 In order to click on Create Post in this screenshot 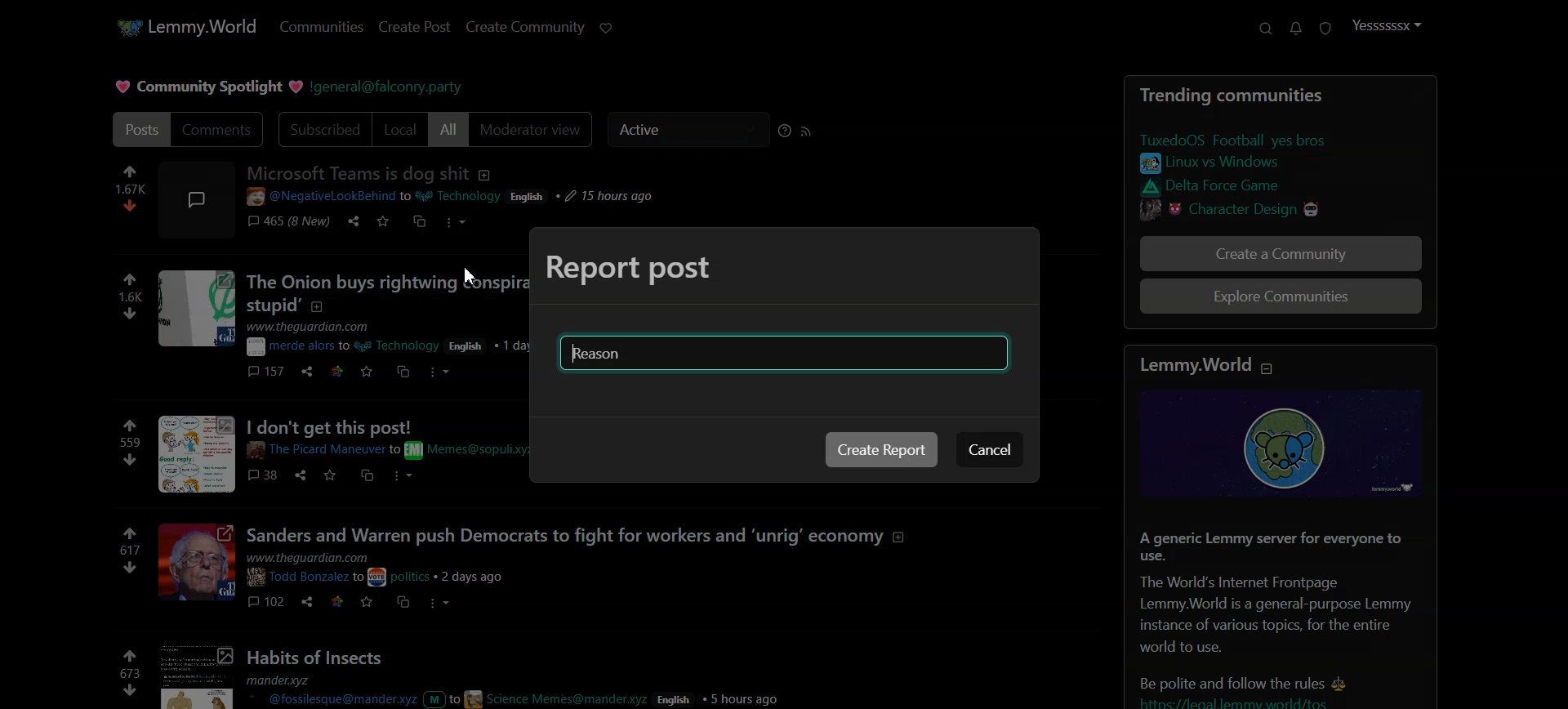, I will do `click(415, 27)`.